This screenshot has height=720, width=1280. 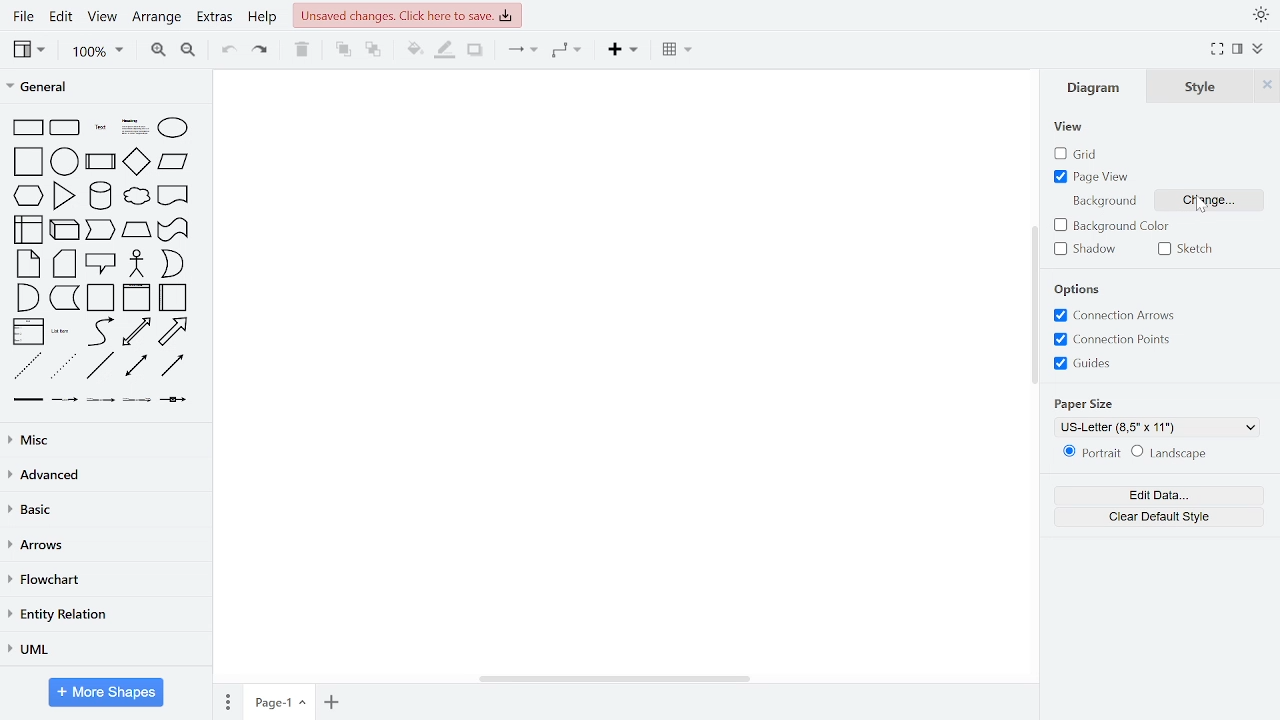 What do you see at coordinates (1201, 205) in the screenshot?
I see `cursor` at bounding box center [1201, 205].